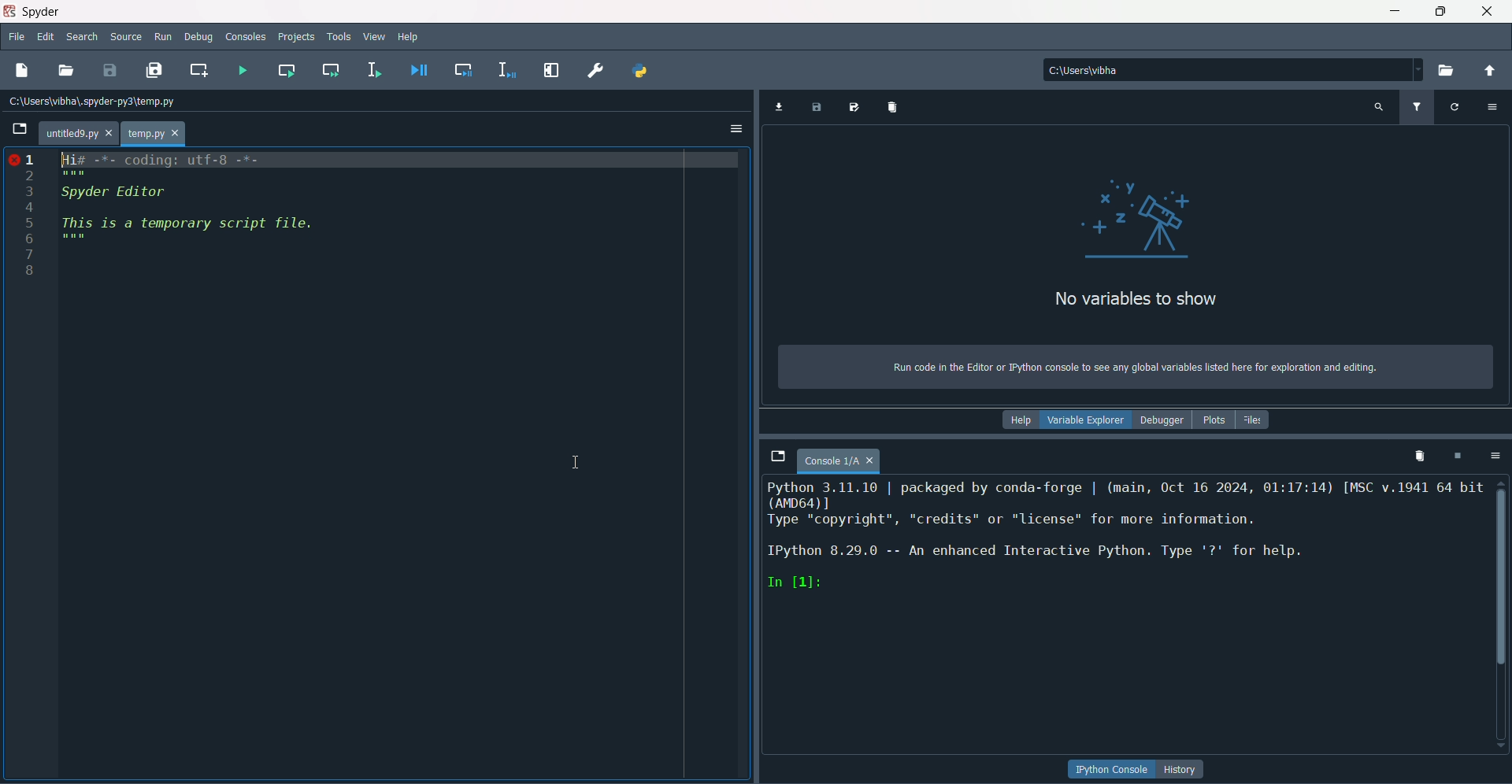  I want to click on projects, so click(296, 38).